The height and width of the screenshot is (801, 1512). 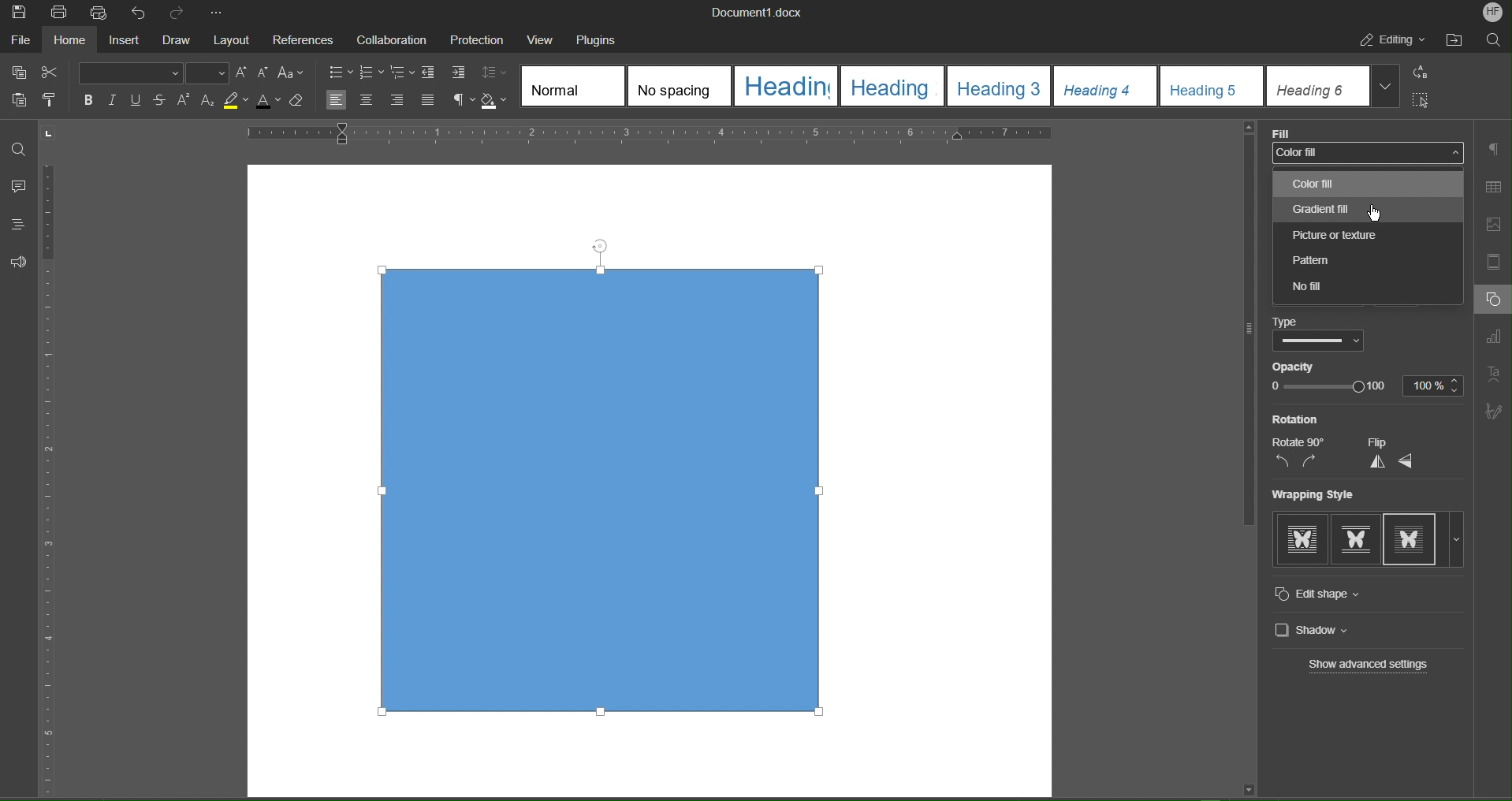 What do you see at coordinates (612, 495) in the screenshot?
I see `Shape (selected)` at bounding box center [612, 495].